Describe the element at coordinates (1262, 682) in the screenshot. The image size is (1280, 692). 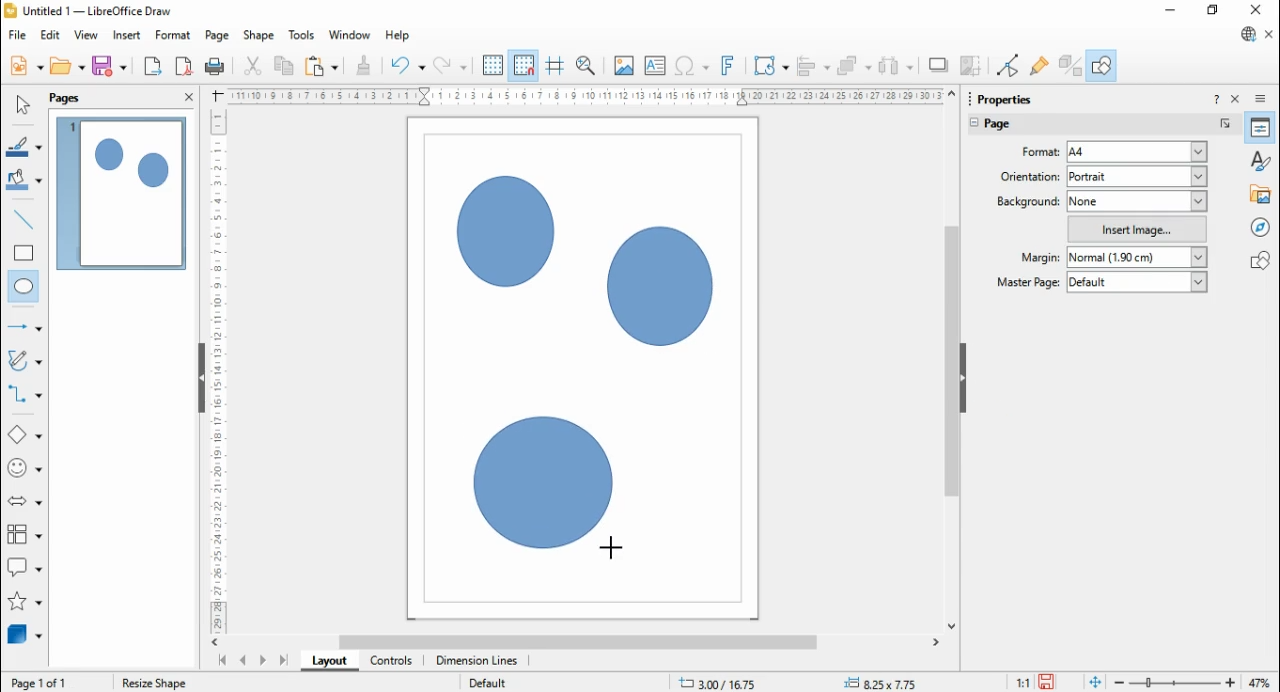
I see `47%` at that location.